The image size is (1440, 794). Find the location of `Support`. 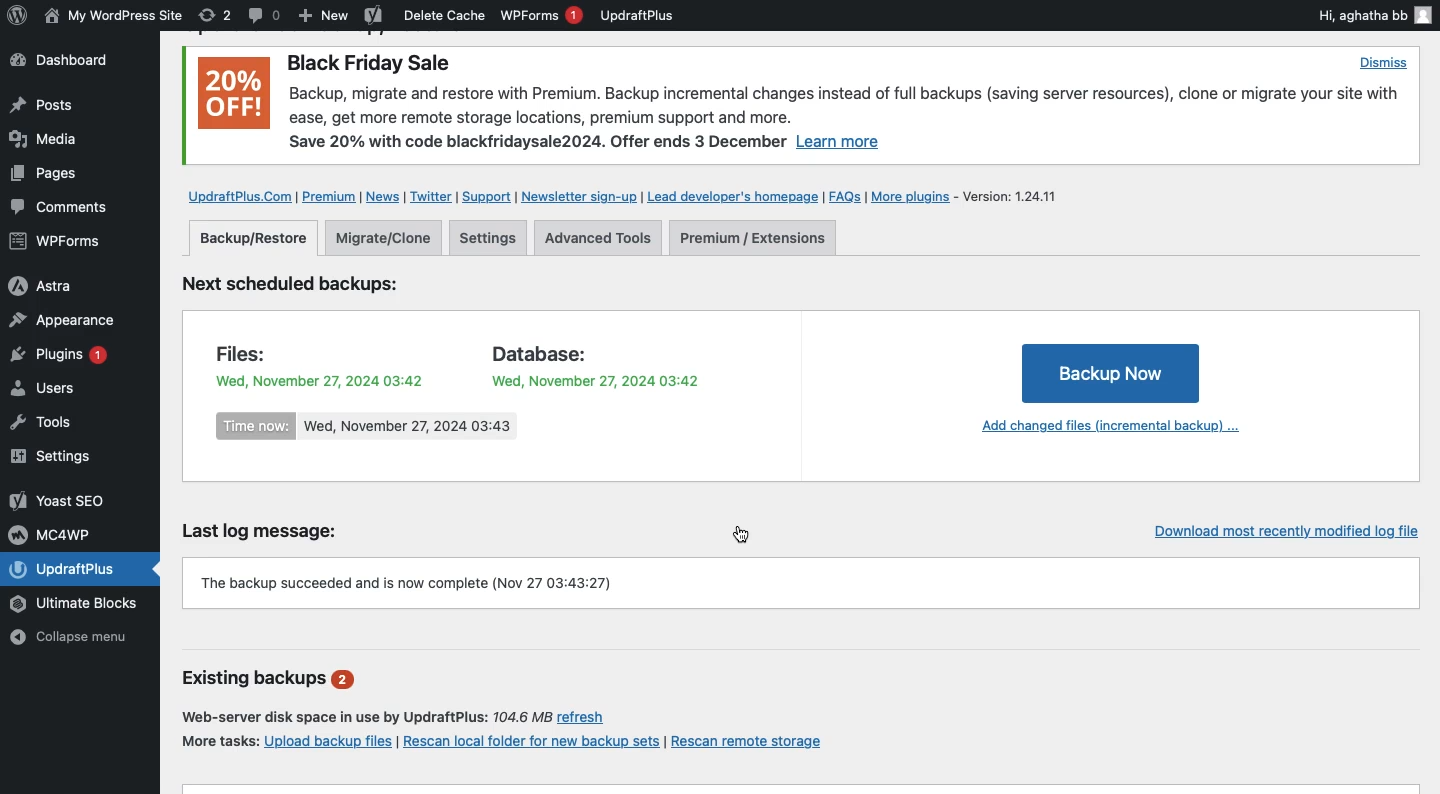

Support is located at coordinates (487, 198).